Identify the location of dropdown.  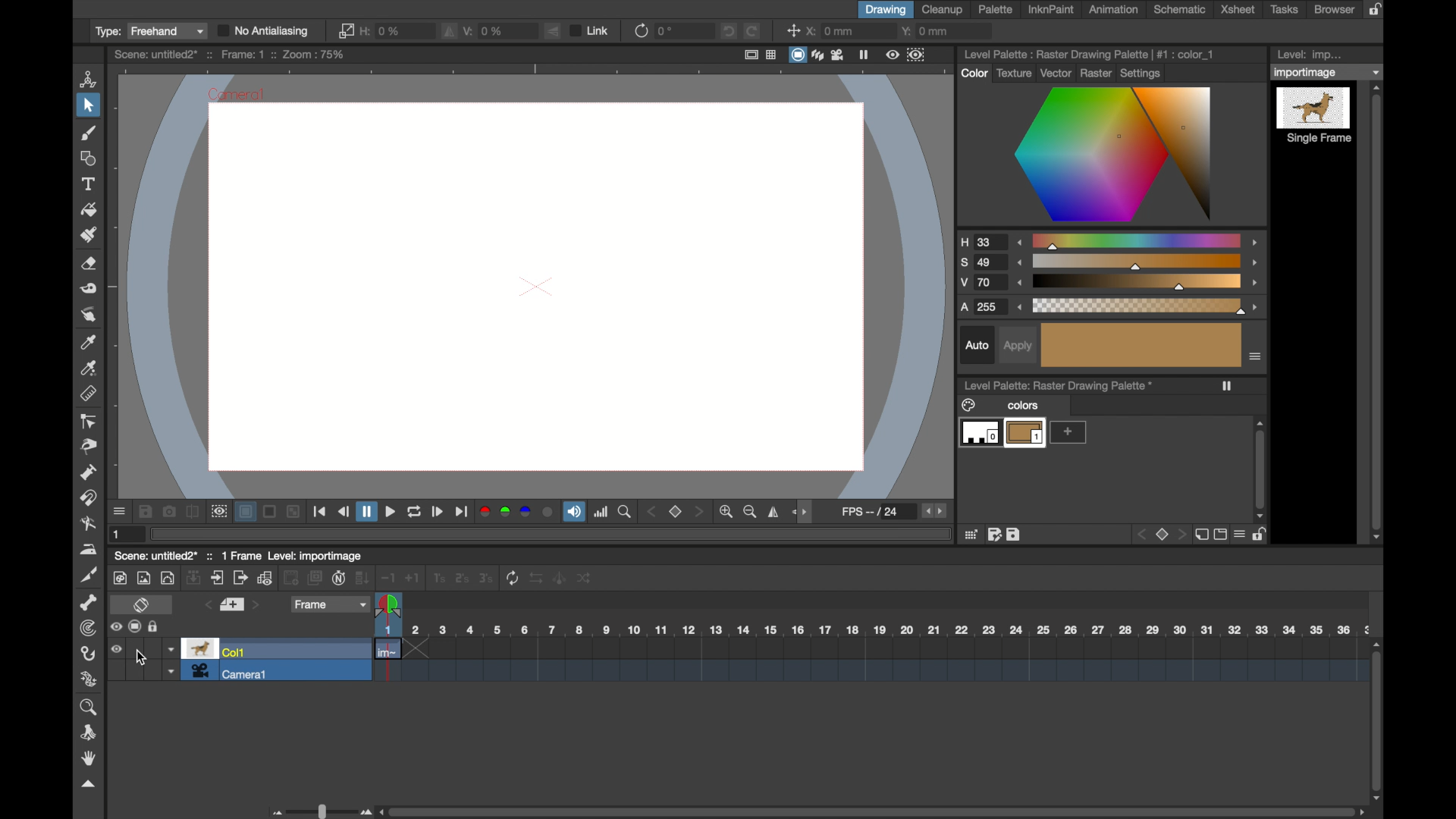
(171, 650).